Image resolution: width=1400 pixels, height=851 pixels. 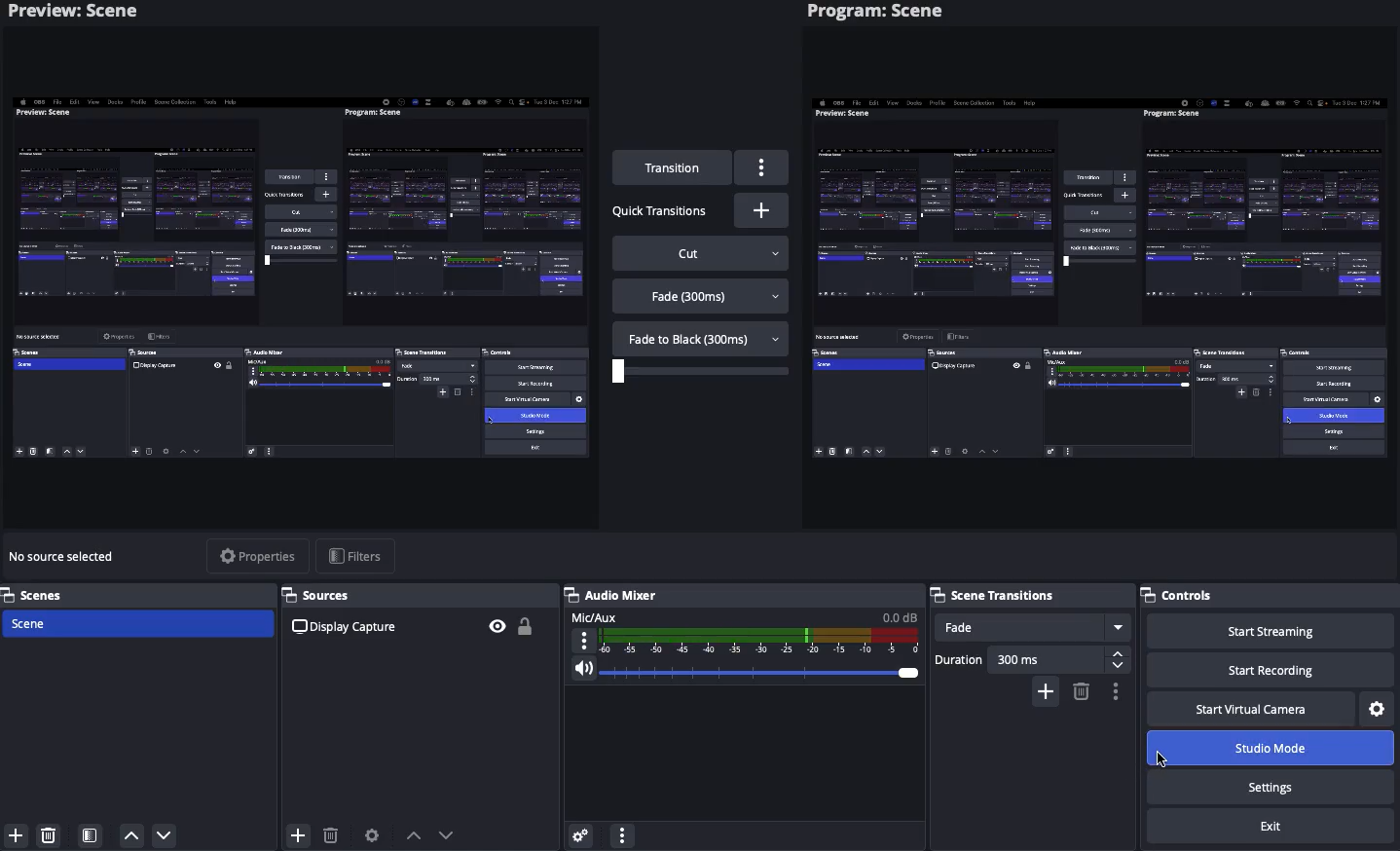 I want to click on Display capture, so click(x=349, y=629).